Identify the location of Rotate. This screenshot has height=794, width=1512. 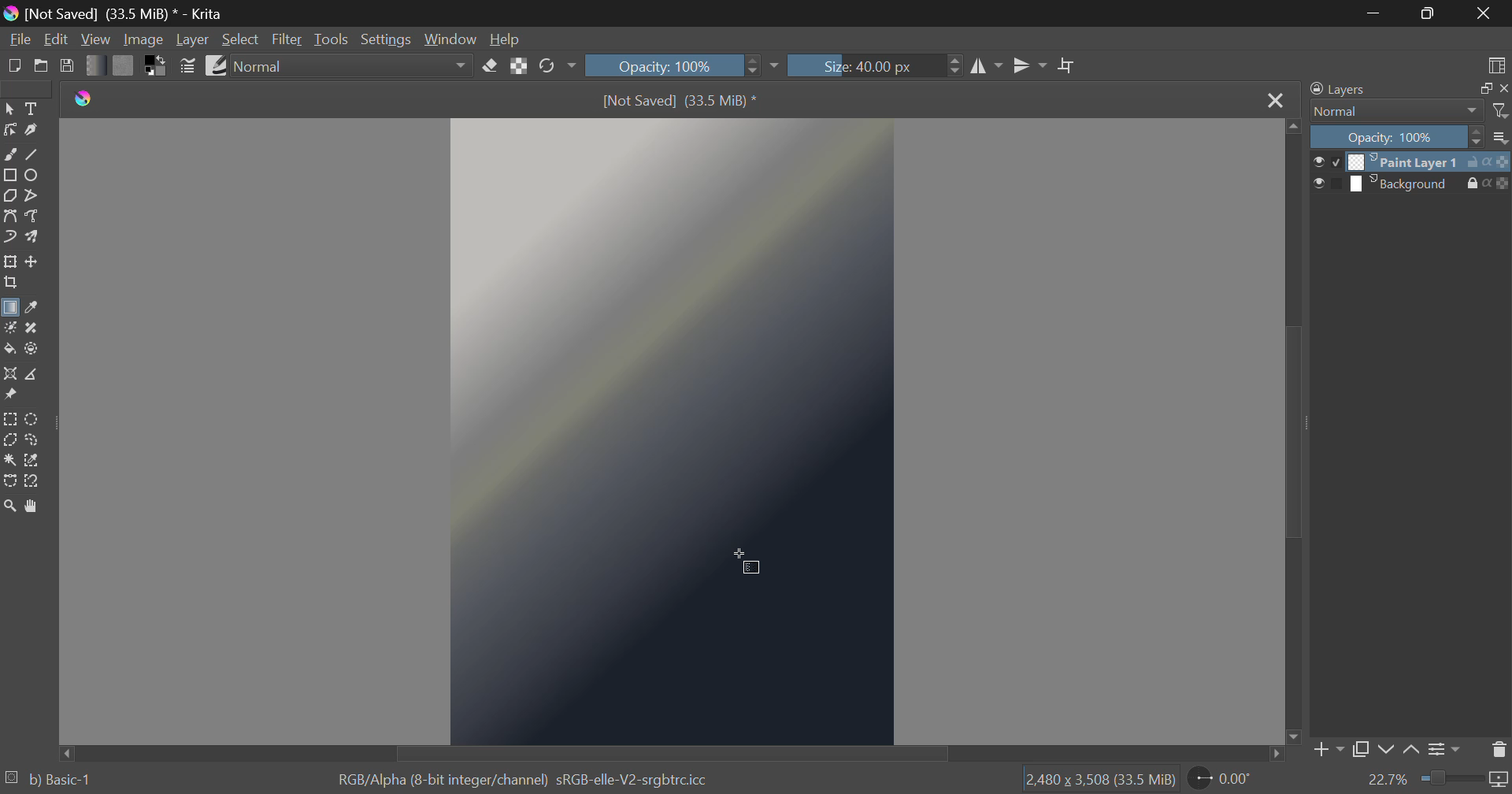
(557, 67).